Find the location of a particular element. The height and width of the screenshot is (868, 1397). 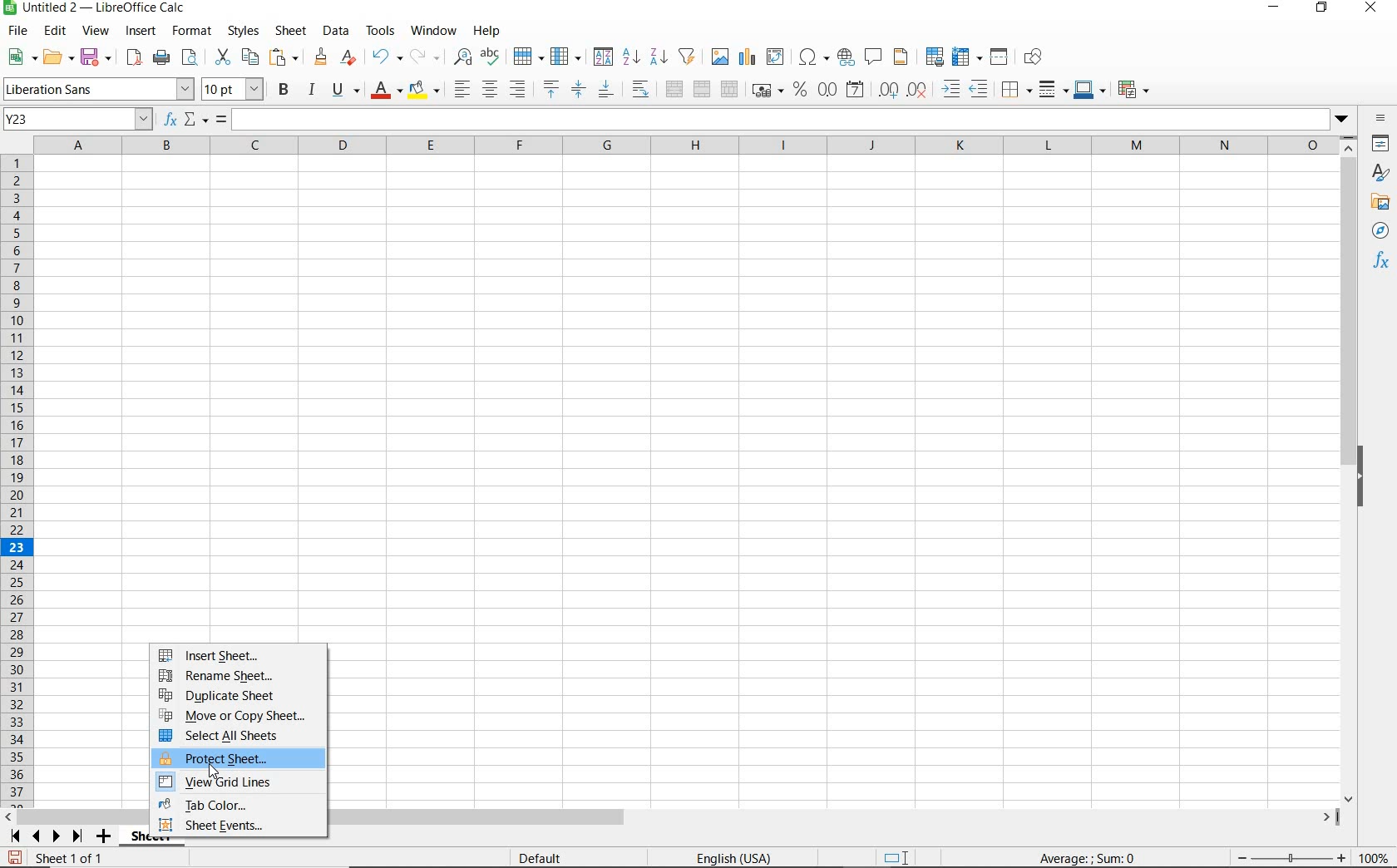

NAVIGATOR is located at coordinates (1380, 232).